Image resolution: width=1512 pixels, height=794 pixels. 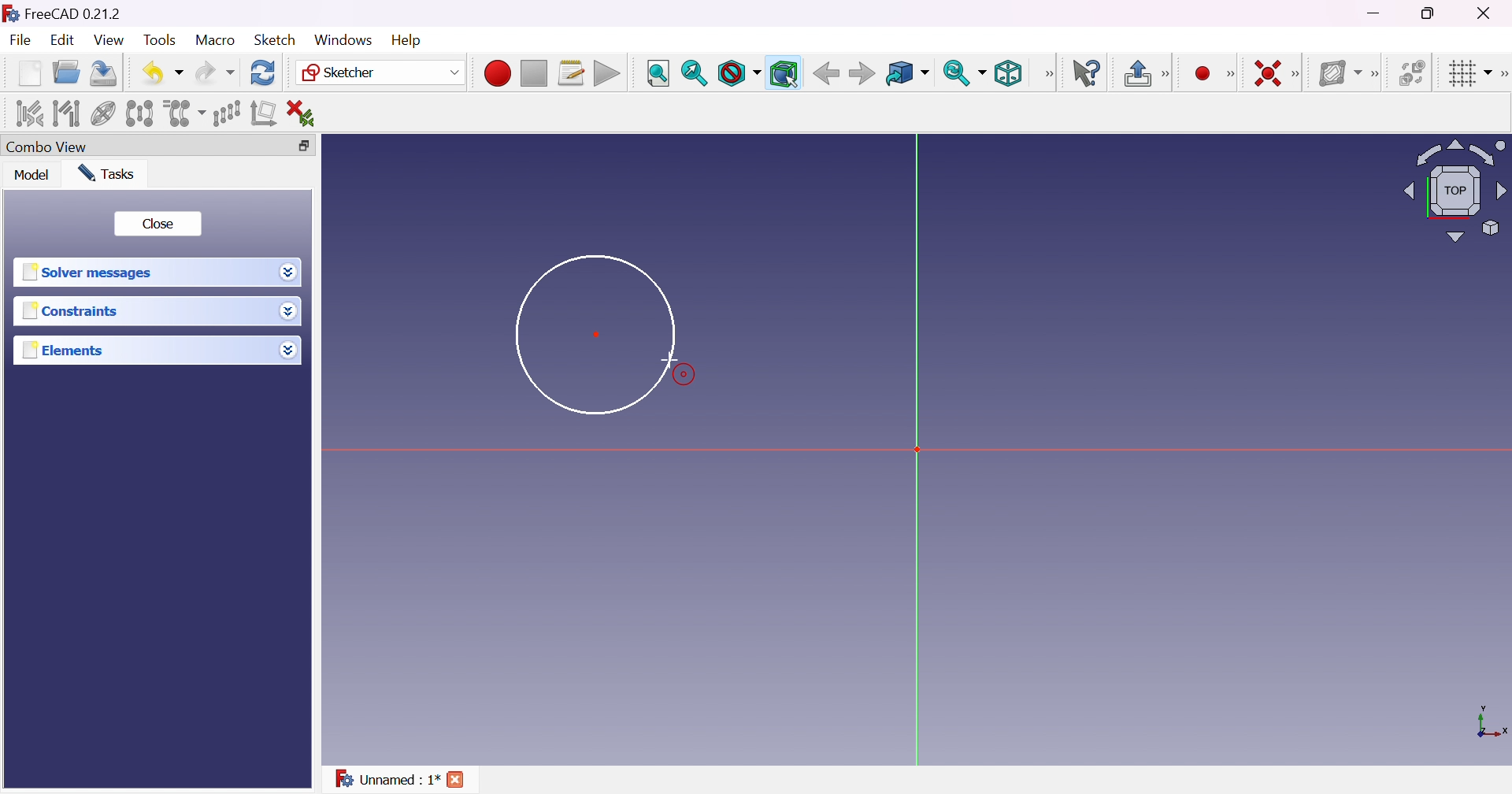 I want to click on Undo, so click(x=162, y=73).